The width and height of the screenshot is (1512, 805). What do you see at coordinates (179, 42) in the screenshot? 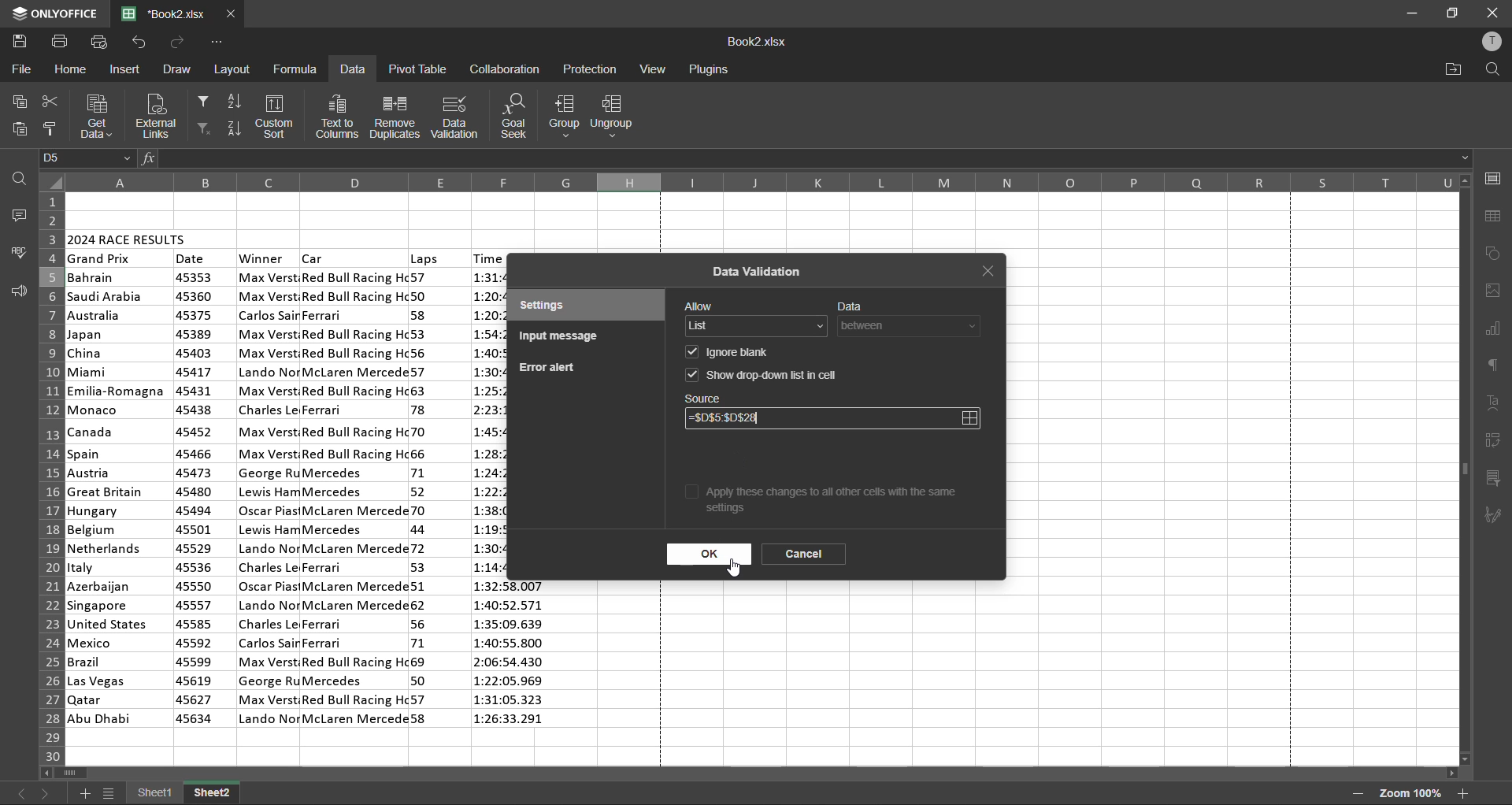
I see `redo` at bounding box center [179, 42].